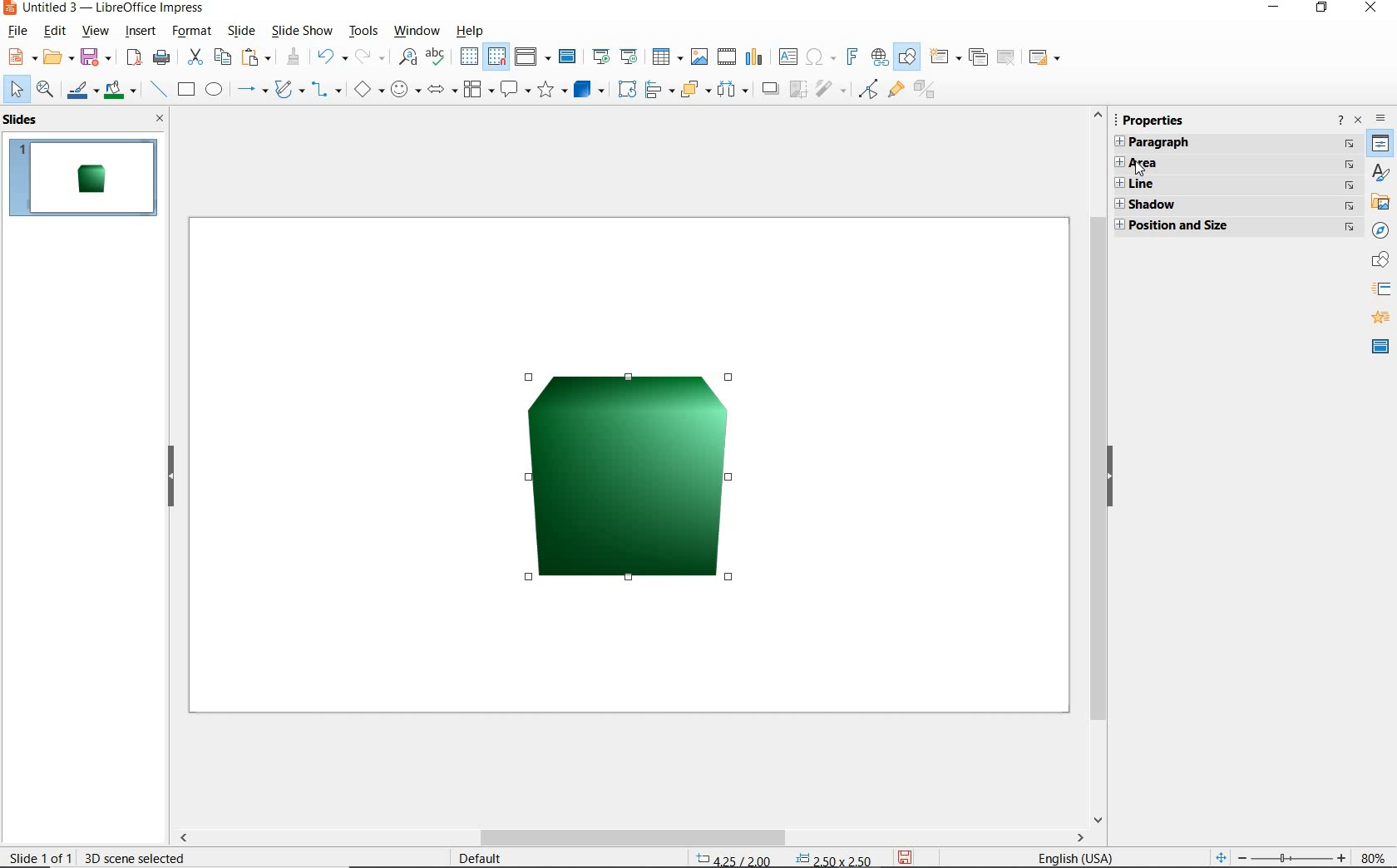 This screenshot has height=868, width=1397. Describe the element at coordinates (773, 91) in the screenshot. I see `SHADOW` at that location.